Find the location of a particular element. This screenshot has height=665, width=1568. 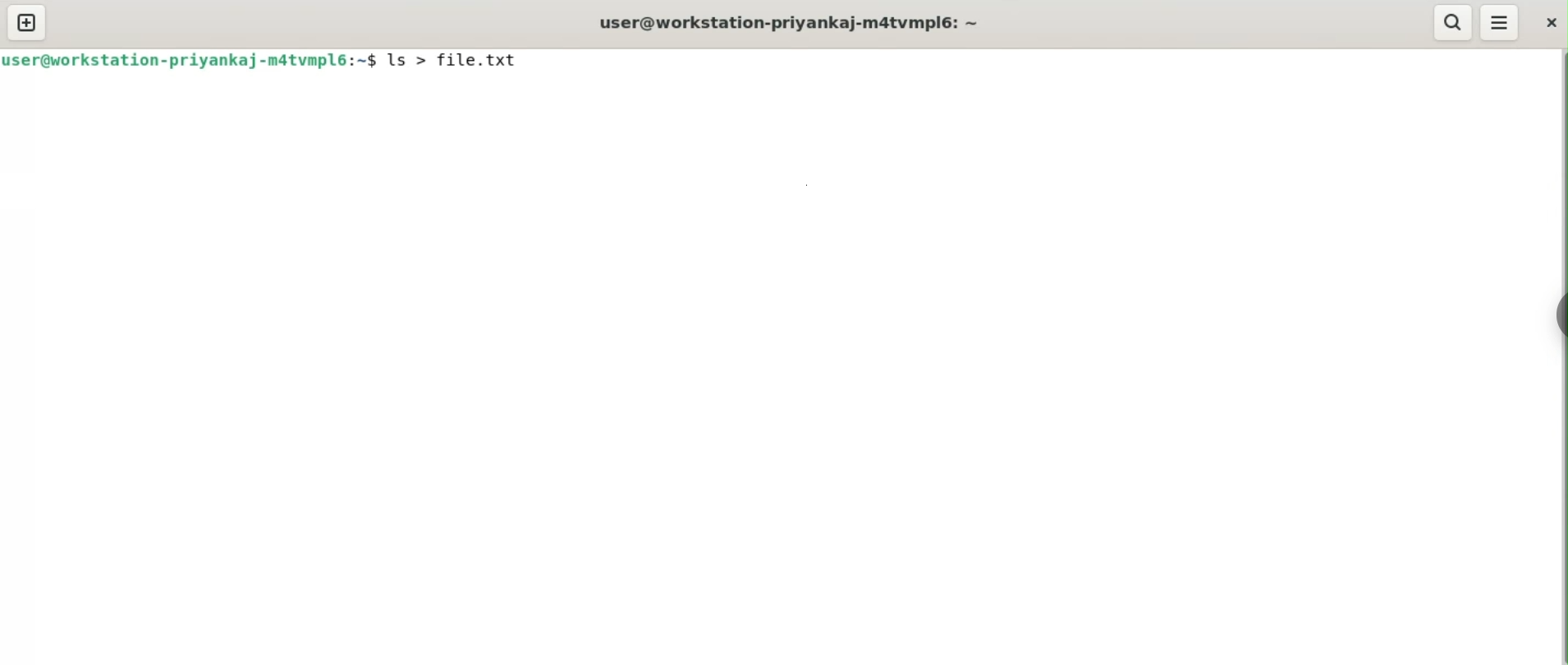

user@workstation-priyankaj-m4tvmpl6: ~ is located at coordinates (828, 23).